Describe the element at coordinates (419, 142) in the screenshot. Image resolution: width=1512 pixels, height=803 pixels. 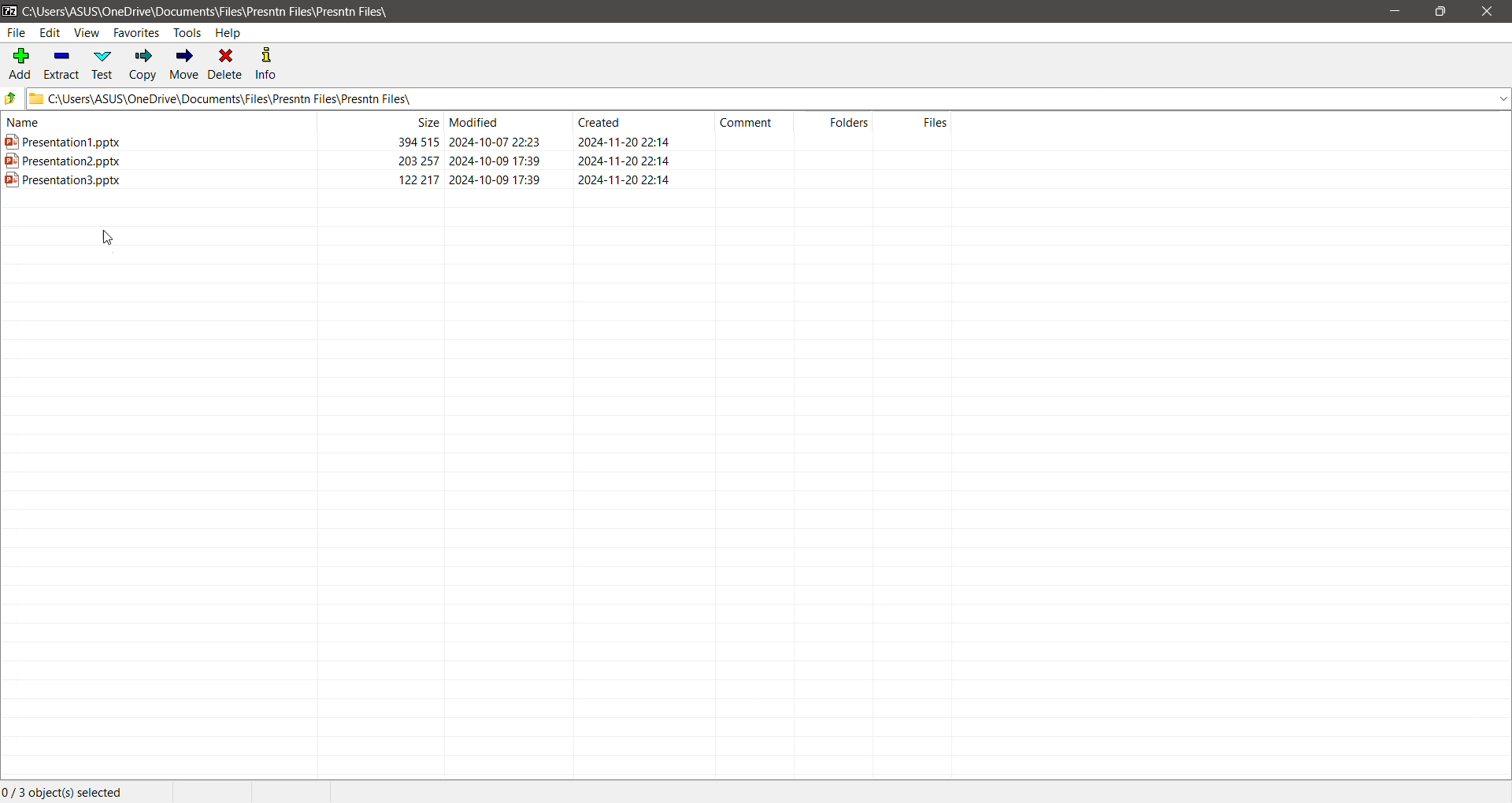
I see `size` at that location.